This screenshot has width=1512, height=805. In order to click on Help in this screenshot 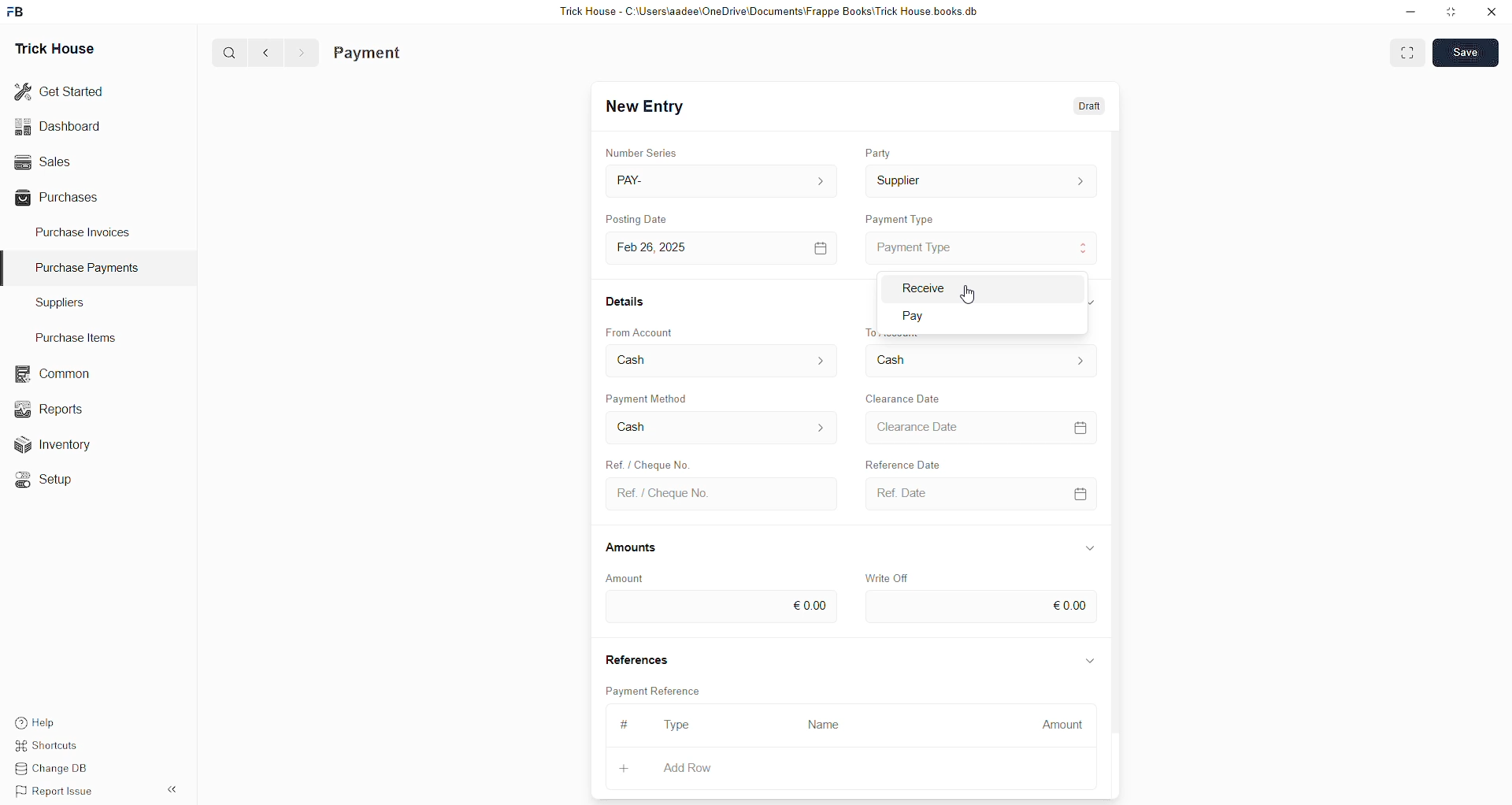, I will do `click(35, 723)`.